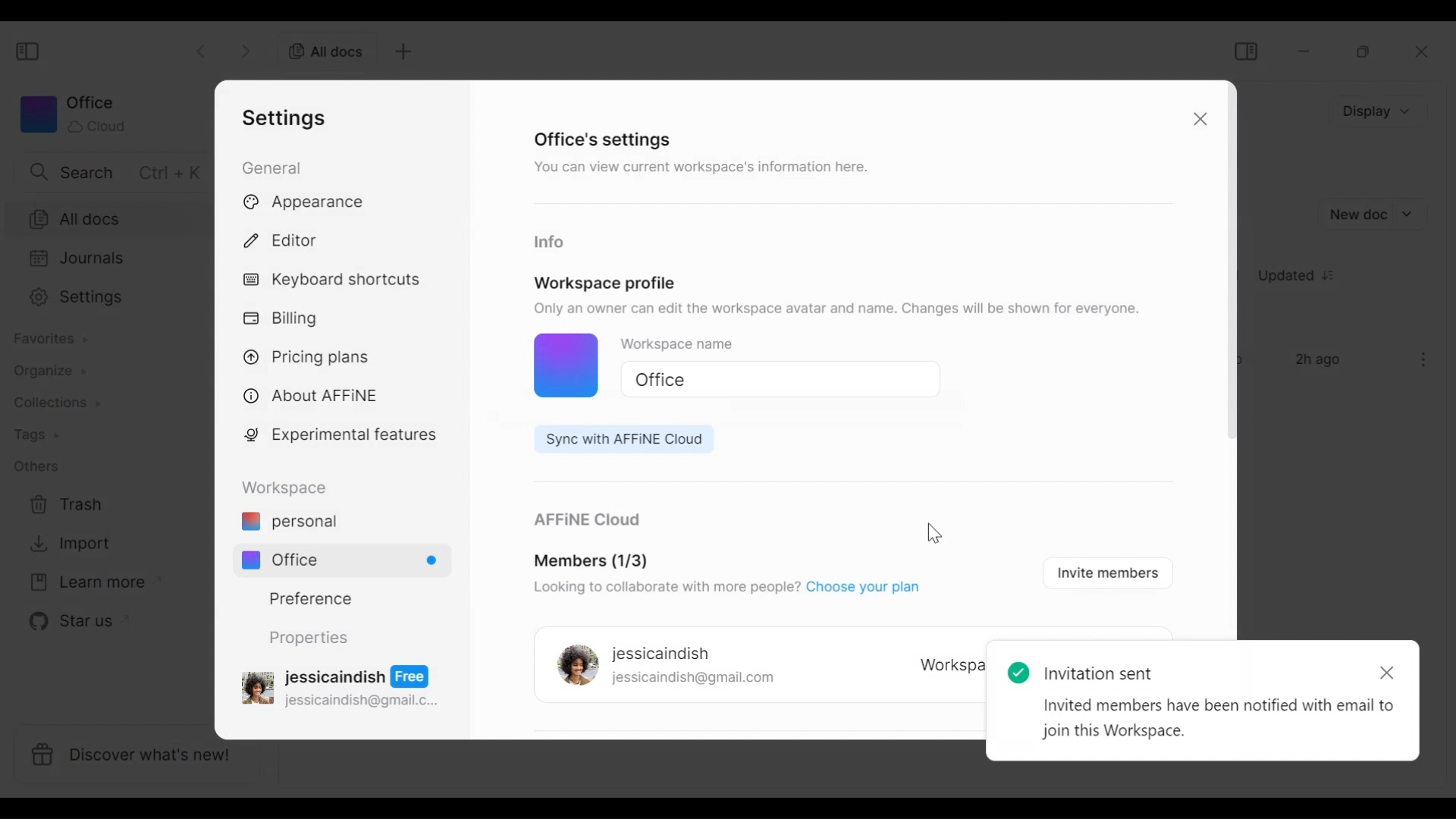  Describe the element at coordinates (840, 309) in the screenshot. I see `Only an owner can edit the workspace avatar and name. Changes will be shown for everyone.` at that location.